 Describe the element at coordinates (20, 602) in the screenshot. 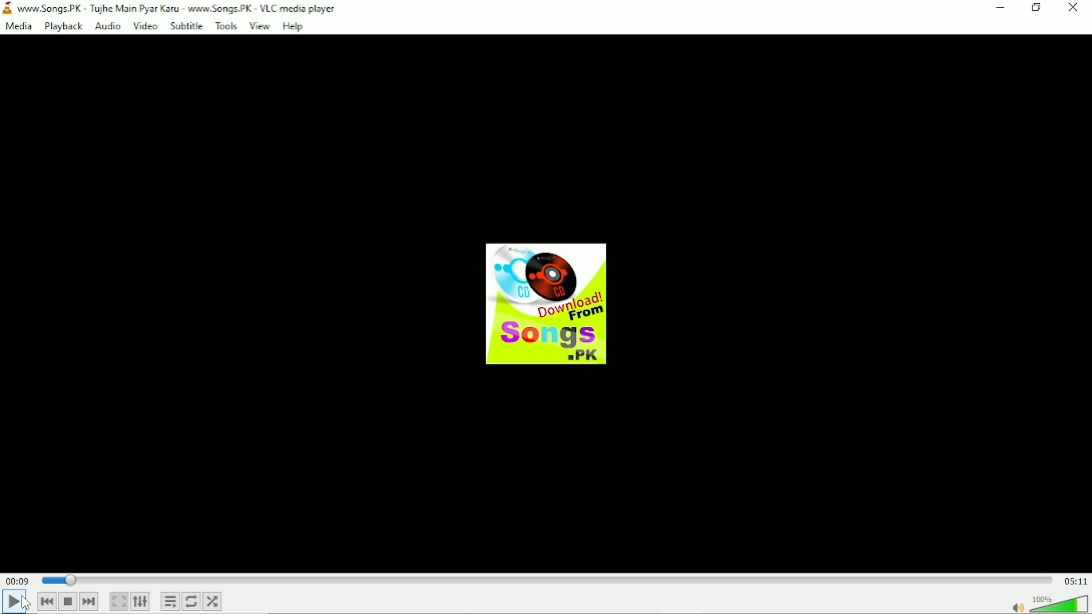

I see `Play` at that location.